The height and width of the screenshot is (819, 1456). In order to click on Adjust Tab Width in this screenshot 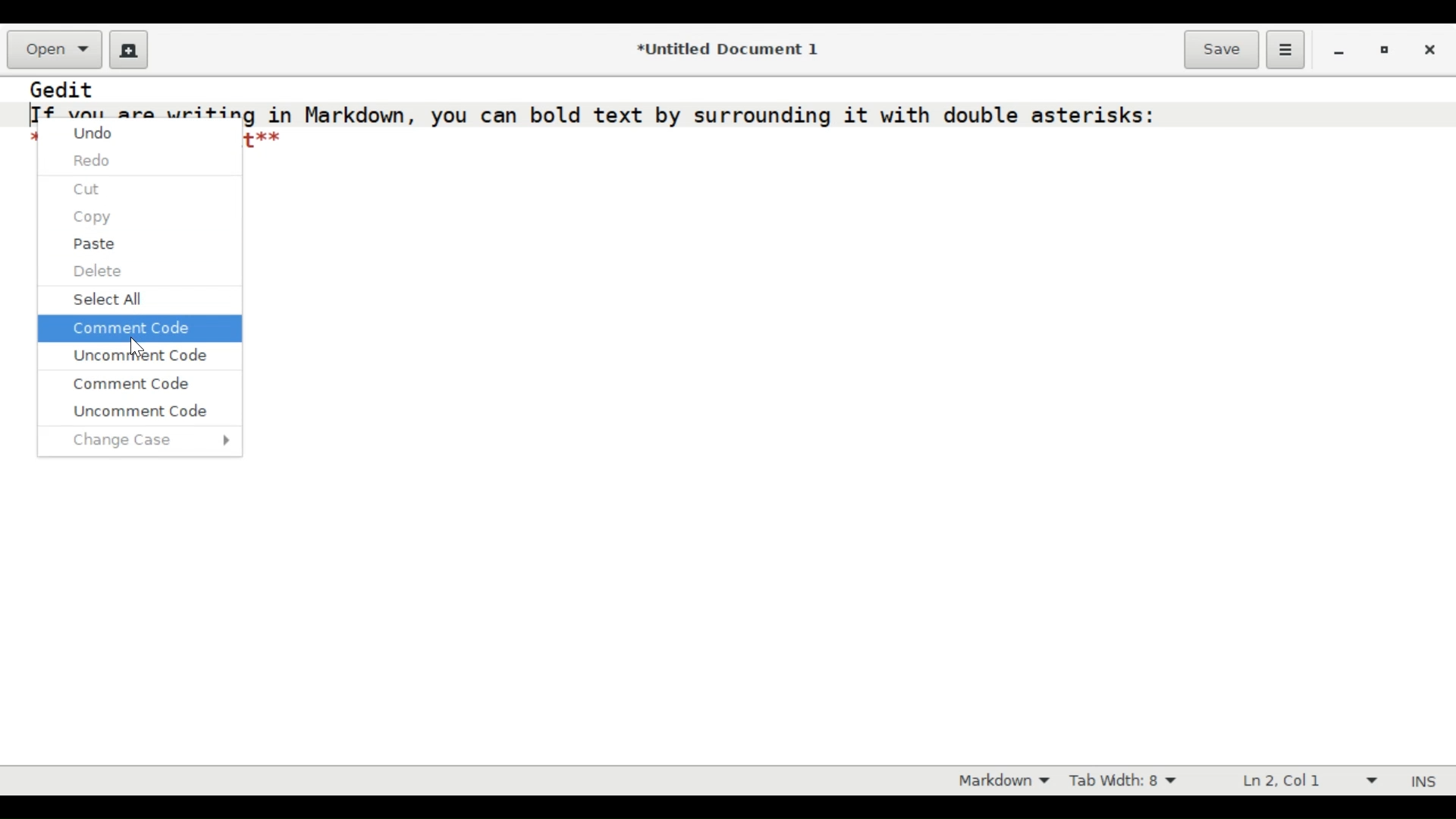, I will do `click(1134, 780)`.